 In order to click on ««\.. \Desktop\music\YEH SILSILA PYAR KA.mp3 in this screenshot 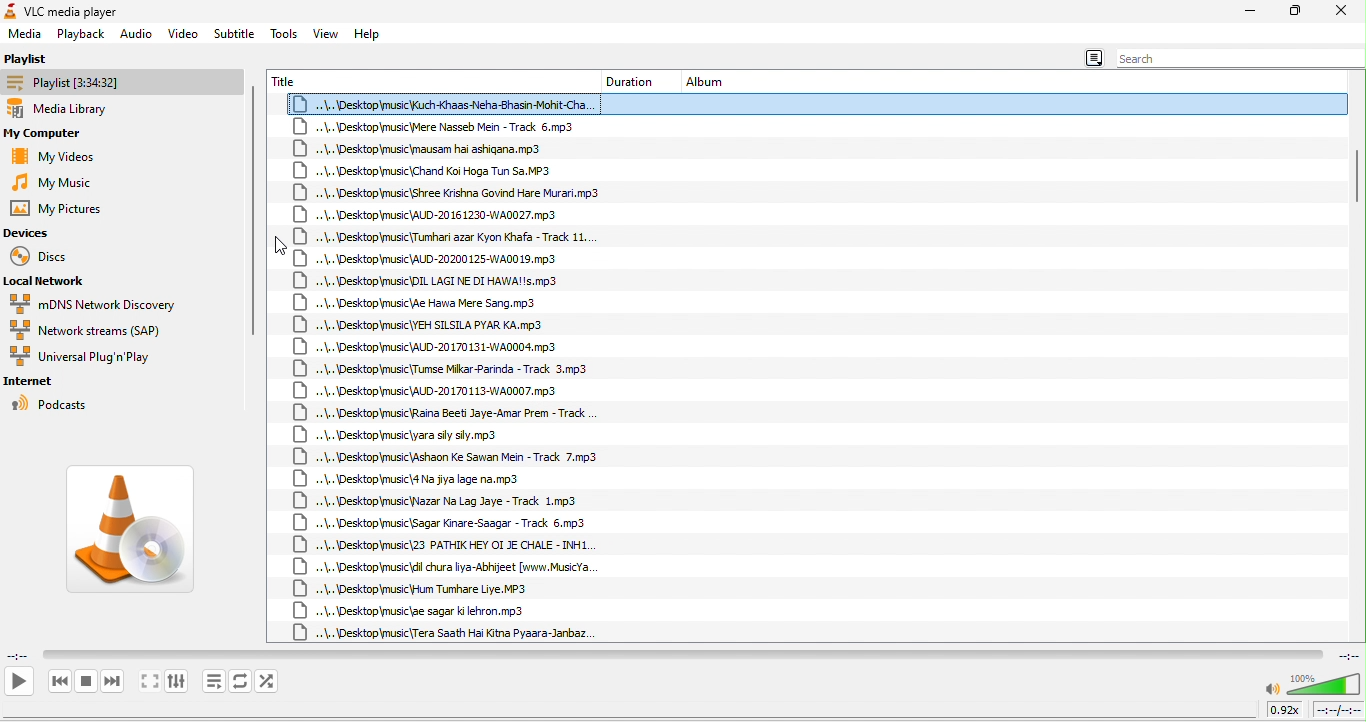, I will do `click(421, 324)`.